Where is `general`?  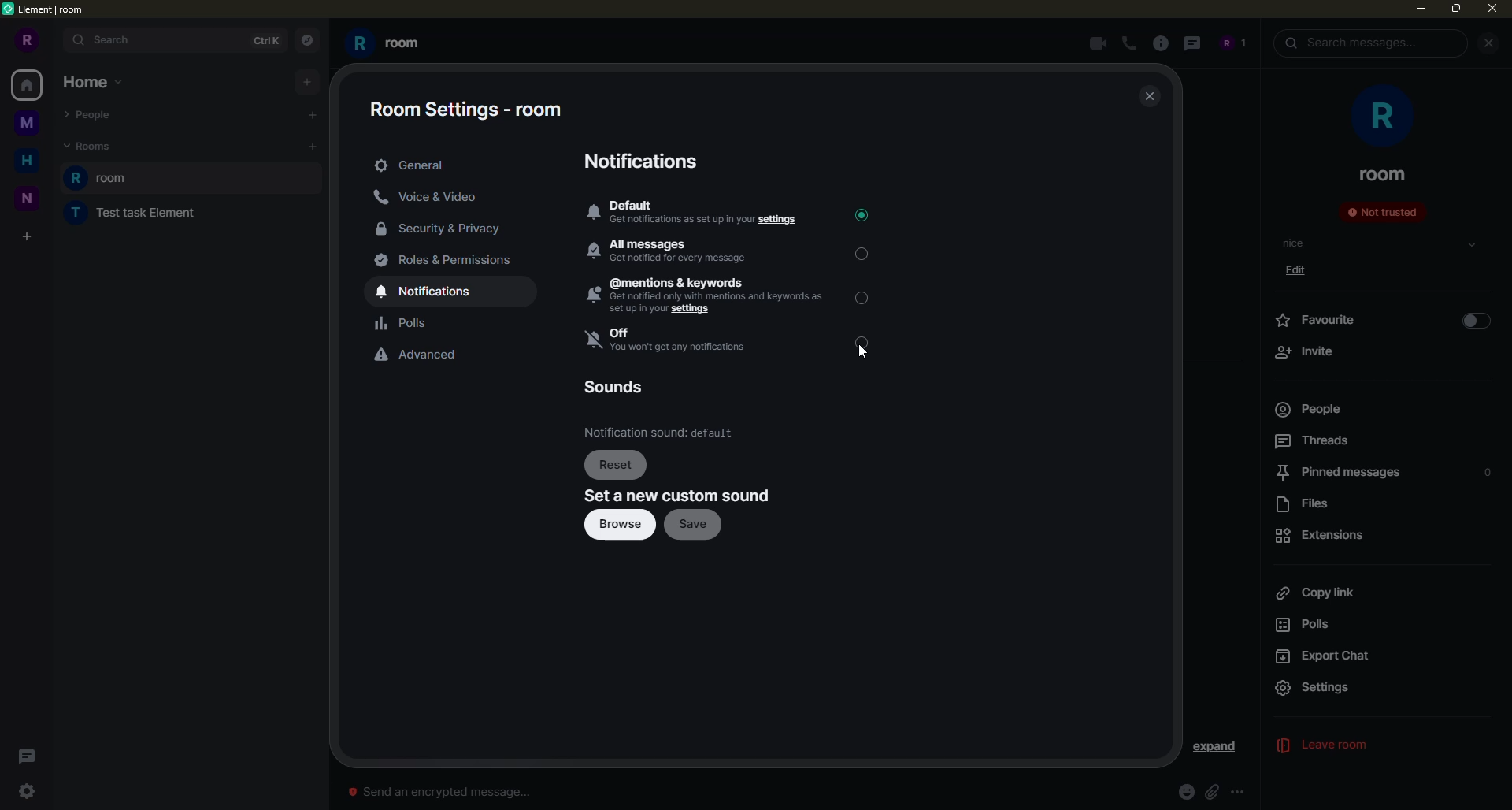
general is located at coordinates (416, 163).